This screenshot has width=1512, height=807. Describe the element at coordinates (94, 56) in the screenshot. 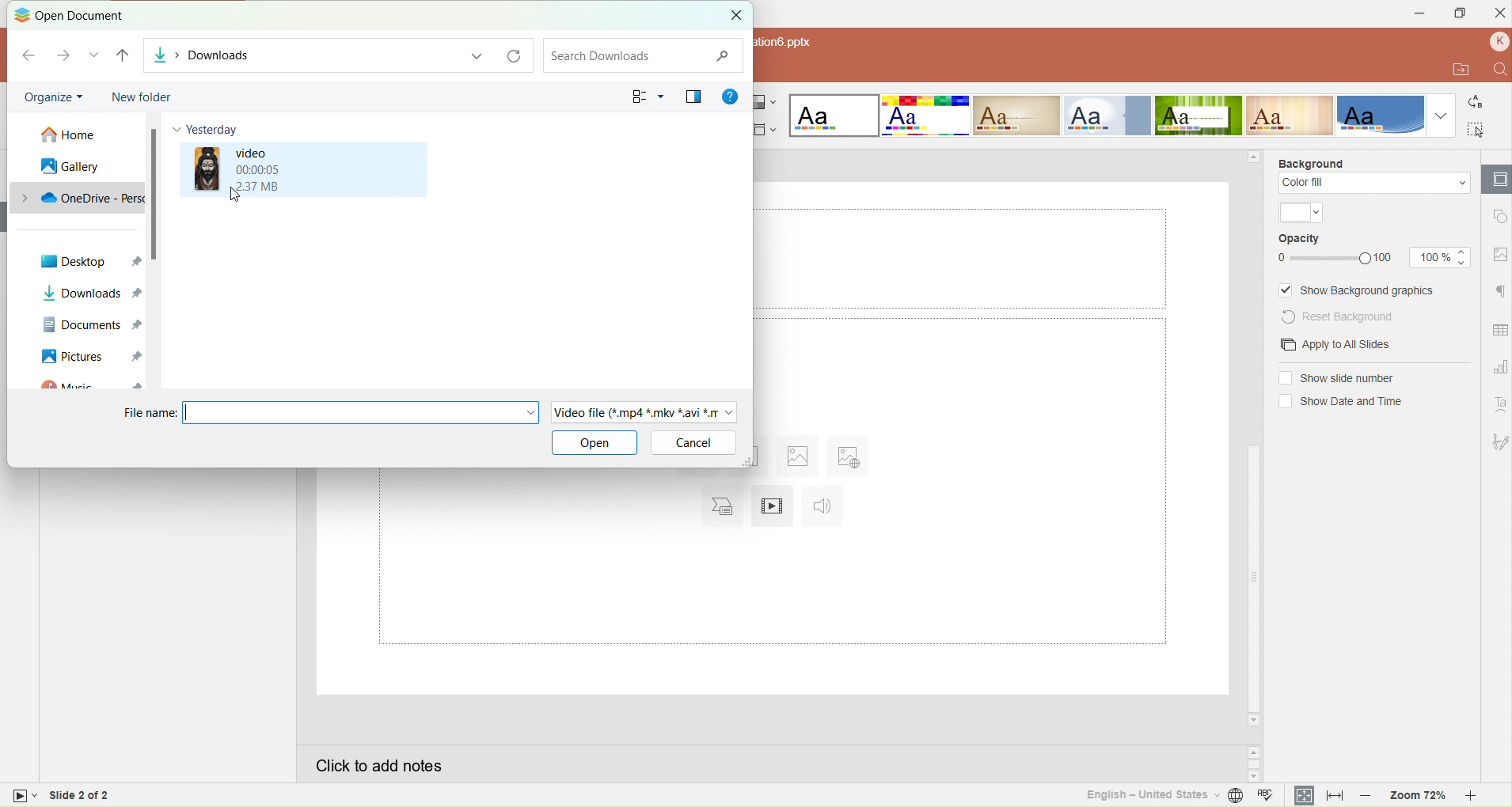

I see `Recent locations` at that location.